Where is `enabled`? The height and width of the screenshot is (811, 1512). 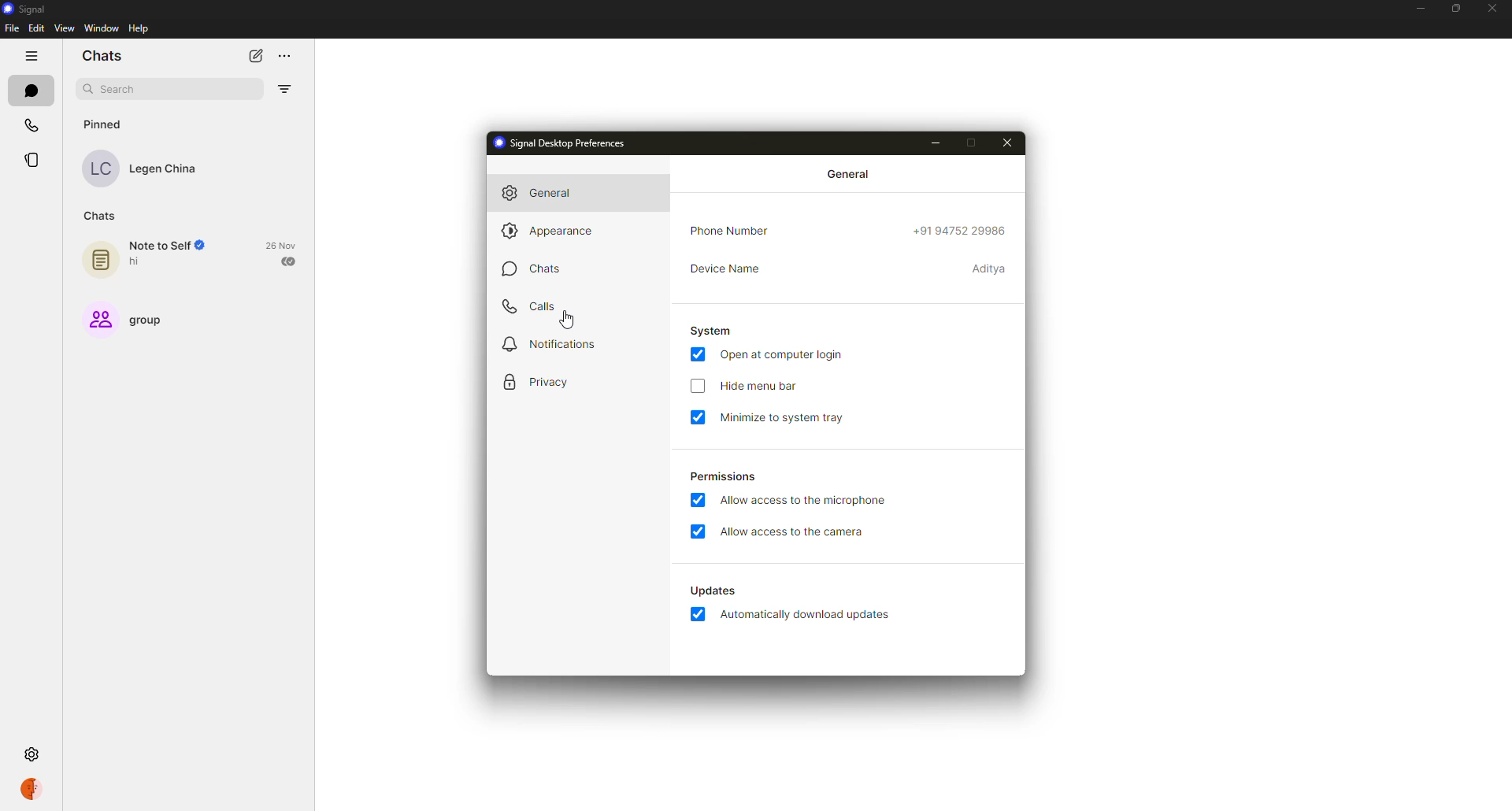 enabled is located at coordinates (699, 613).